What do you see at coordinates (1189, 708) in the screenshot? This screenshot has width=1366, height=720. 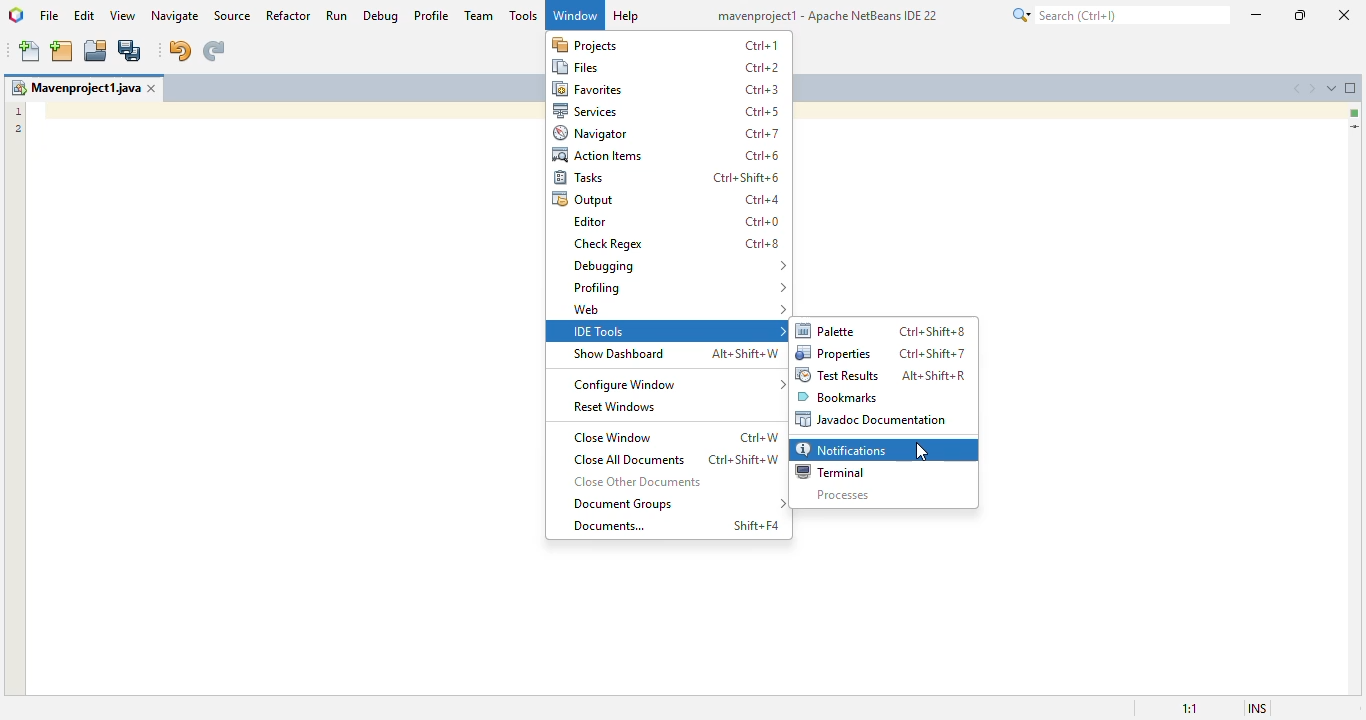 I see `magnification ratio` at bounding box center [1189, 708].